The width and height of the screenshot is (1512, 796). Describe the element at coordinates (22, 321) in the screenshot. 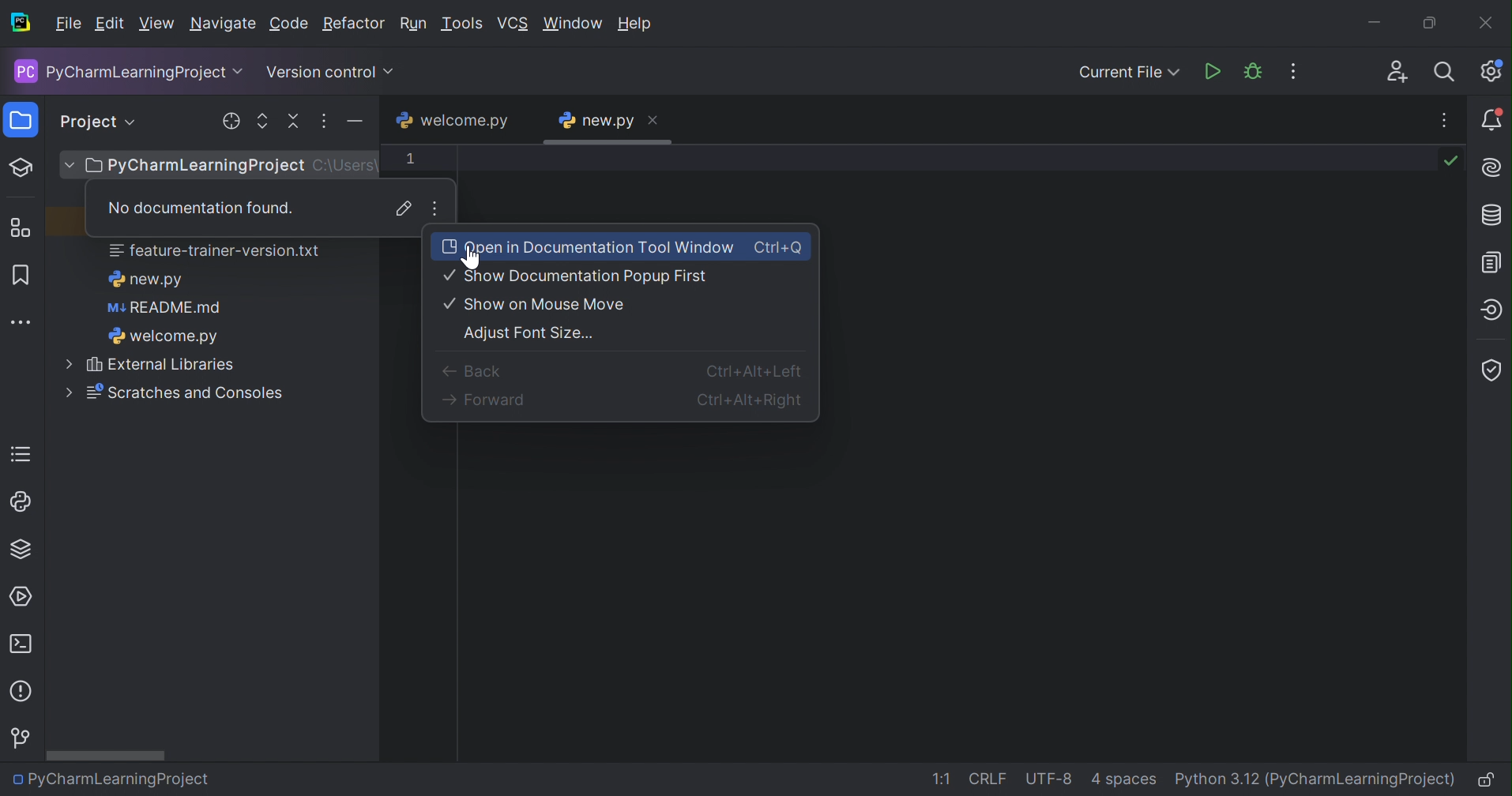

I see `More tool windows` at that location.